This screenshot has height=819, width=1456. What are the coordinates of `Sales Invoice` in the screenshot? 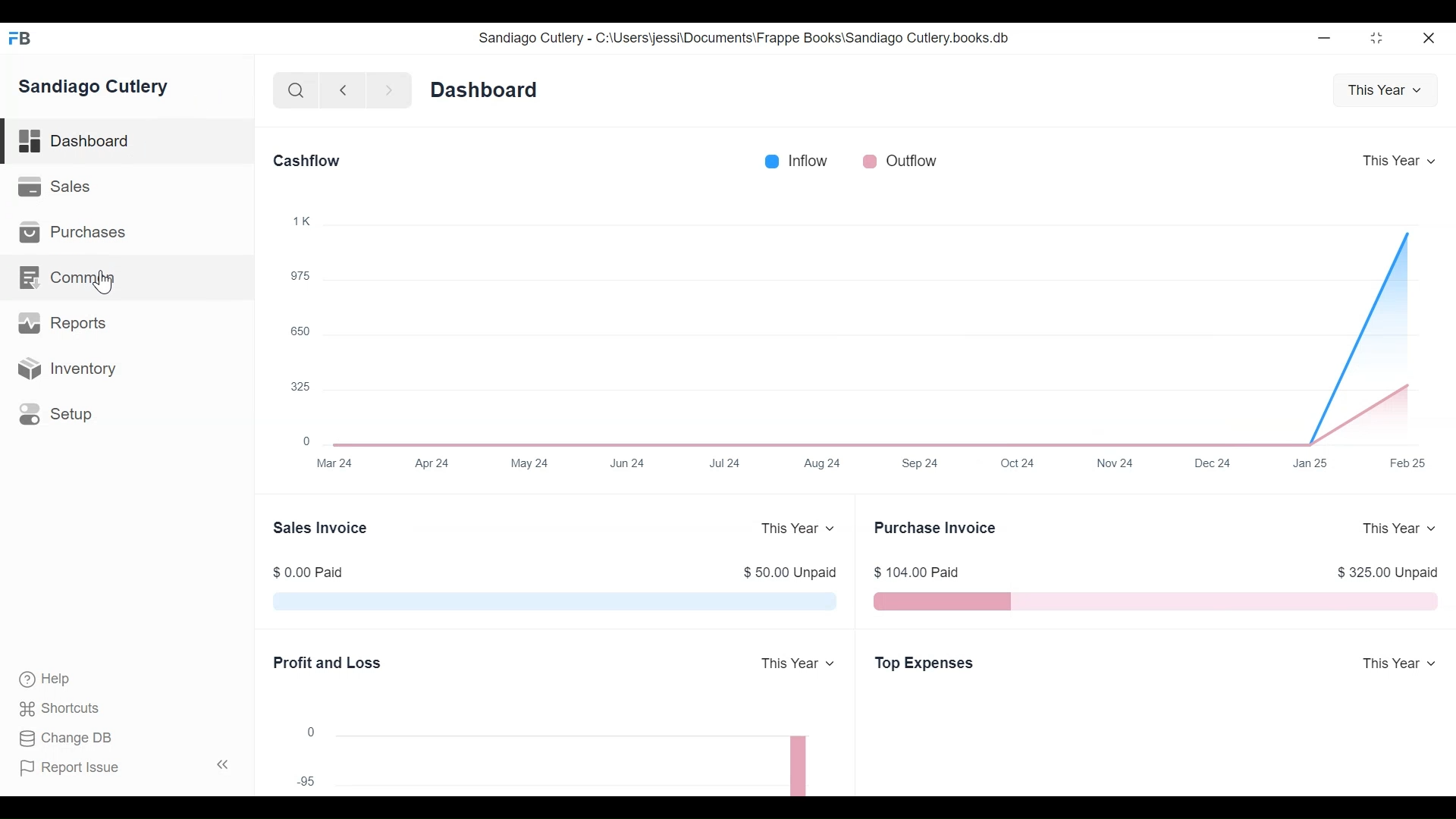 It's located at (321, 526).